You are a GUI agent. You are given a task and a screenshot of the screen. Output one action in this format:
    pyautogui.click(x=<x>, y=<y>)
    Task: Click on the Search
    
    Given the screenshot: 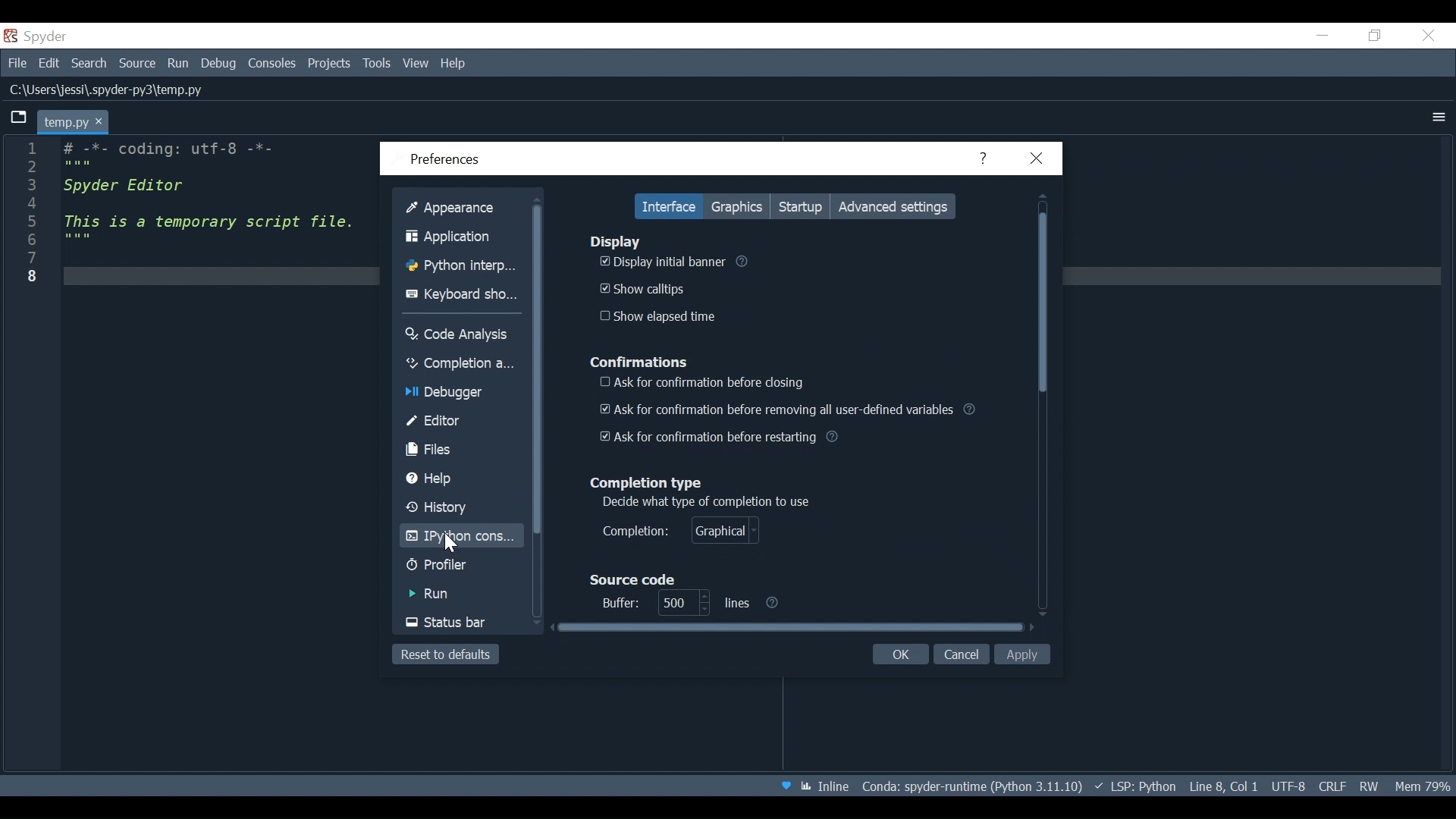 What is the action you would take?
    pyautogui.click(x=89, y=64)
    